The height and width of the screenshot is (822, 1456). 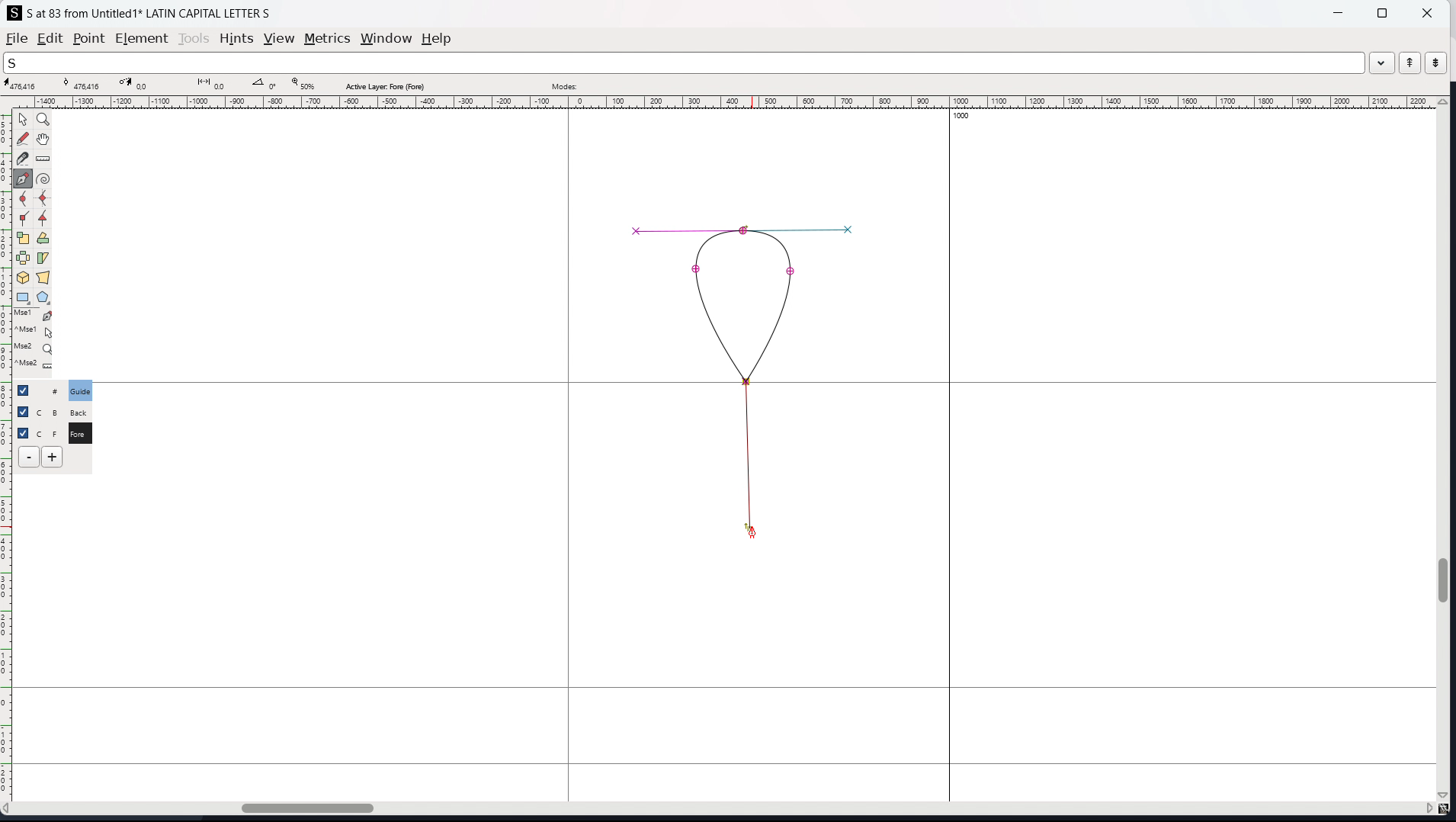 What do you see at coordinates (44, 199) in the screenshot?
I see `add a curve point always either vertically or horizontally` at bounding box center [44, 199].